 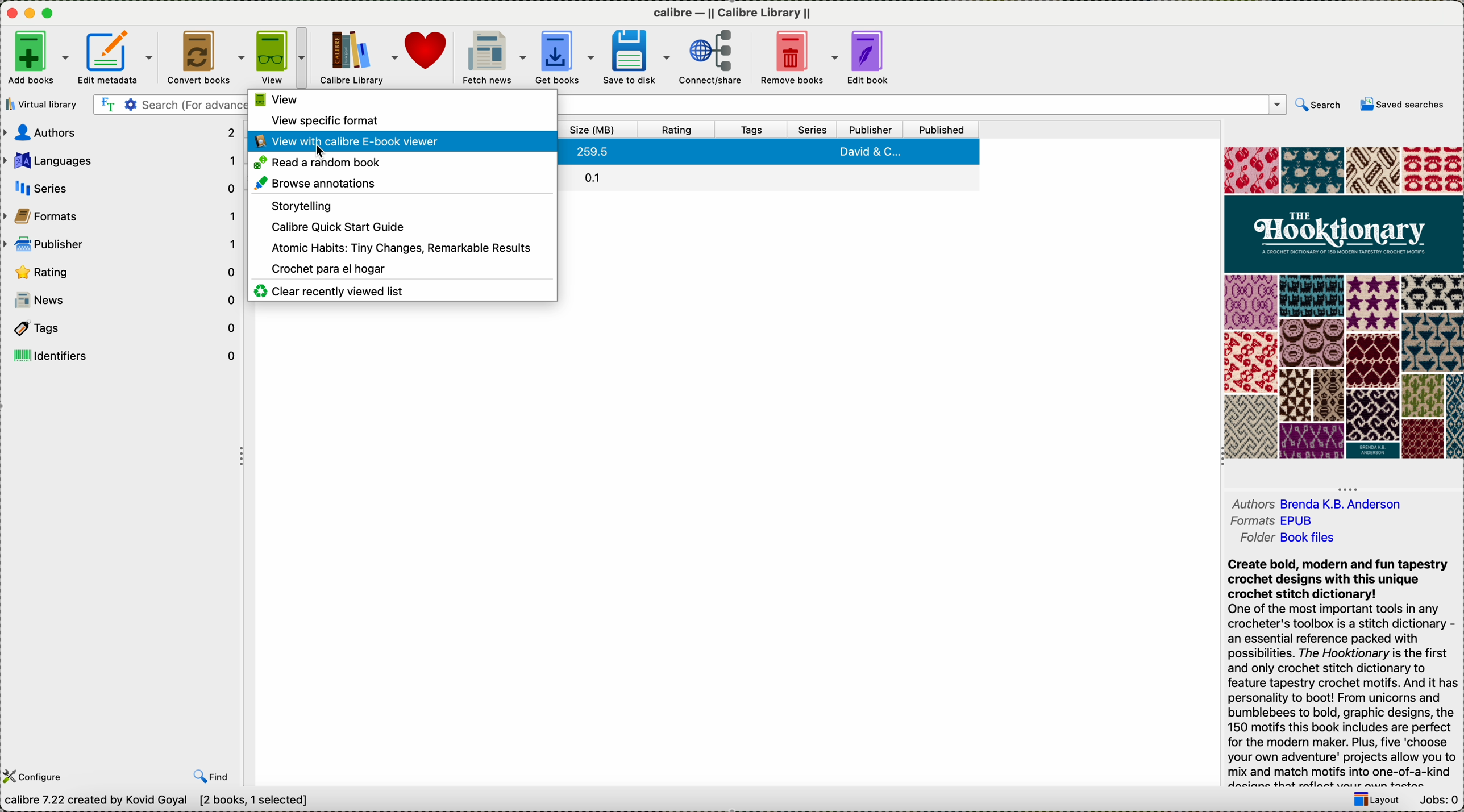 What do you see at coordinates (329, 268) in the screenshot?
I see `crochet para el hogar` at bounding box center [329, 268].